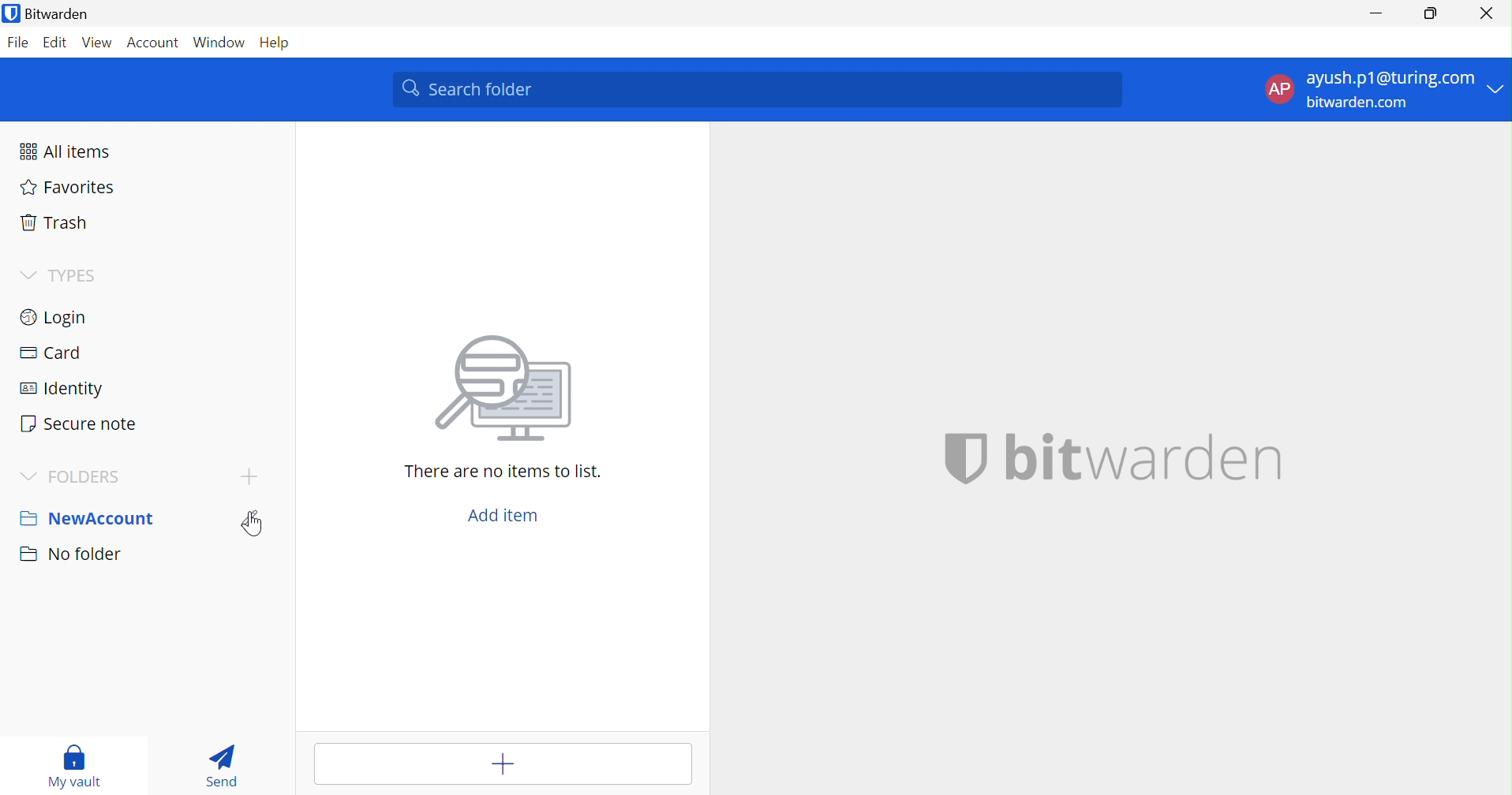 This screenshot has width=1512, height=795. Describe the element at coordinates (70, 558) in the screenshot. I see `No folder` at that location.